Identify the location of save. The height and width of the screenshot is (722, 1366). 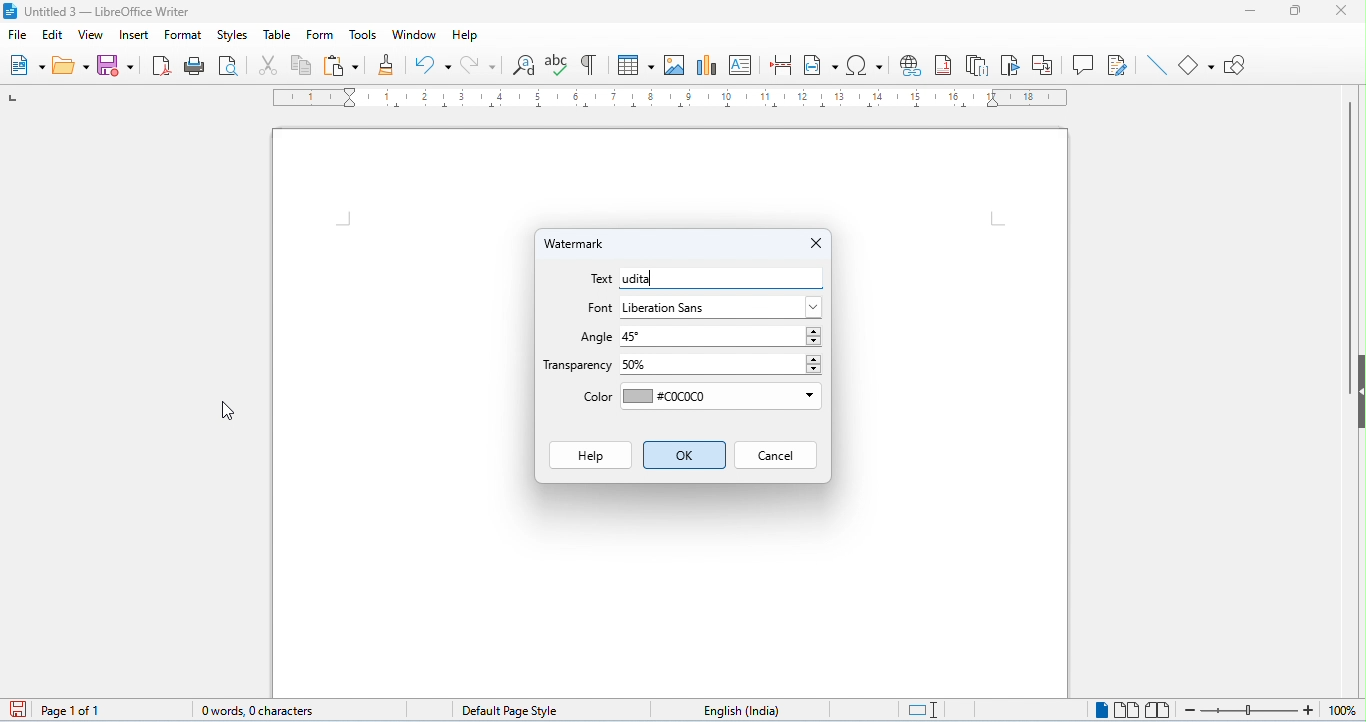
(116, 65).